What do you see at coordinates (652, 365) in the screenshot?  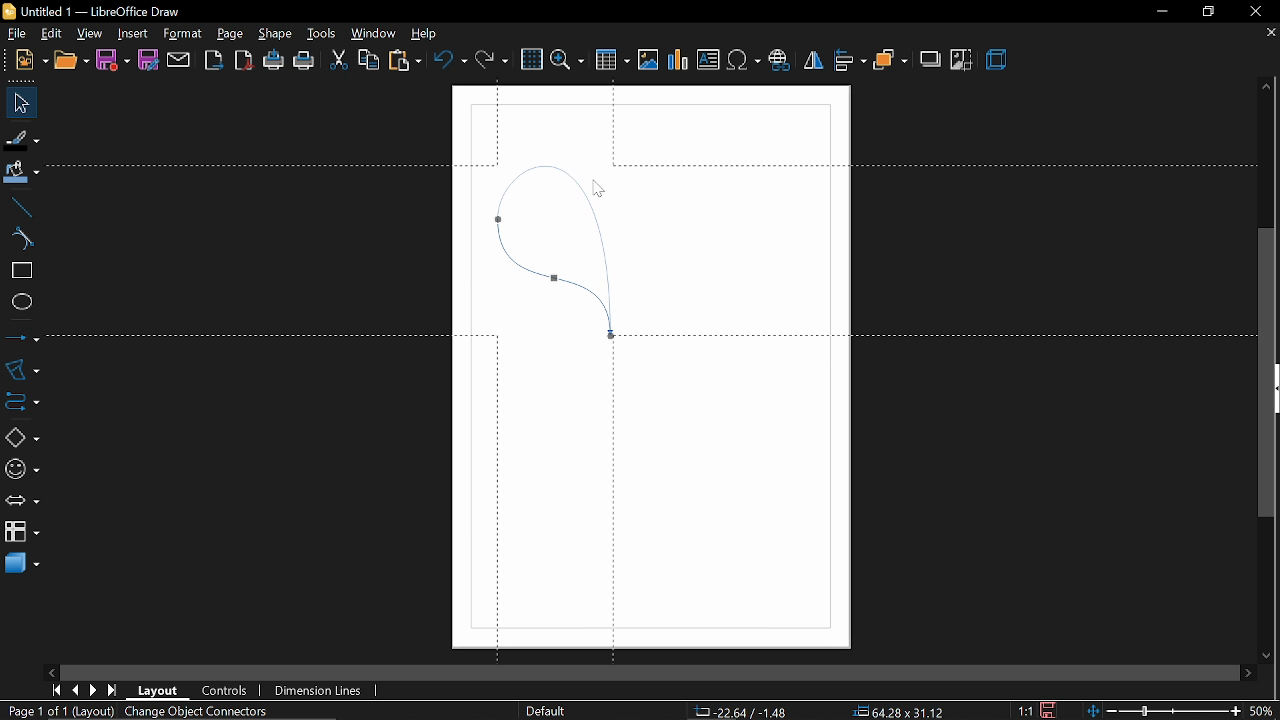 I see `Canvas` at bounding box center [652, 365].